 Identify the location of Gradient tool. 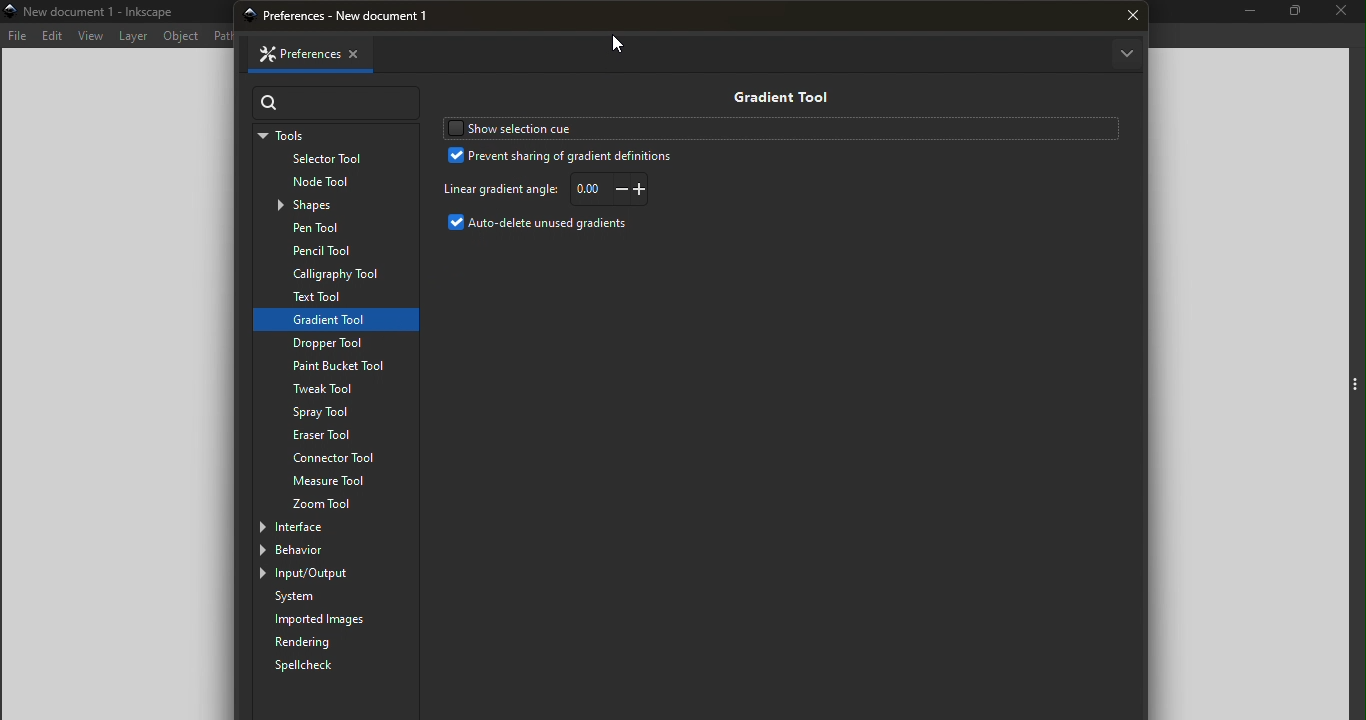
(775, 95).